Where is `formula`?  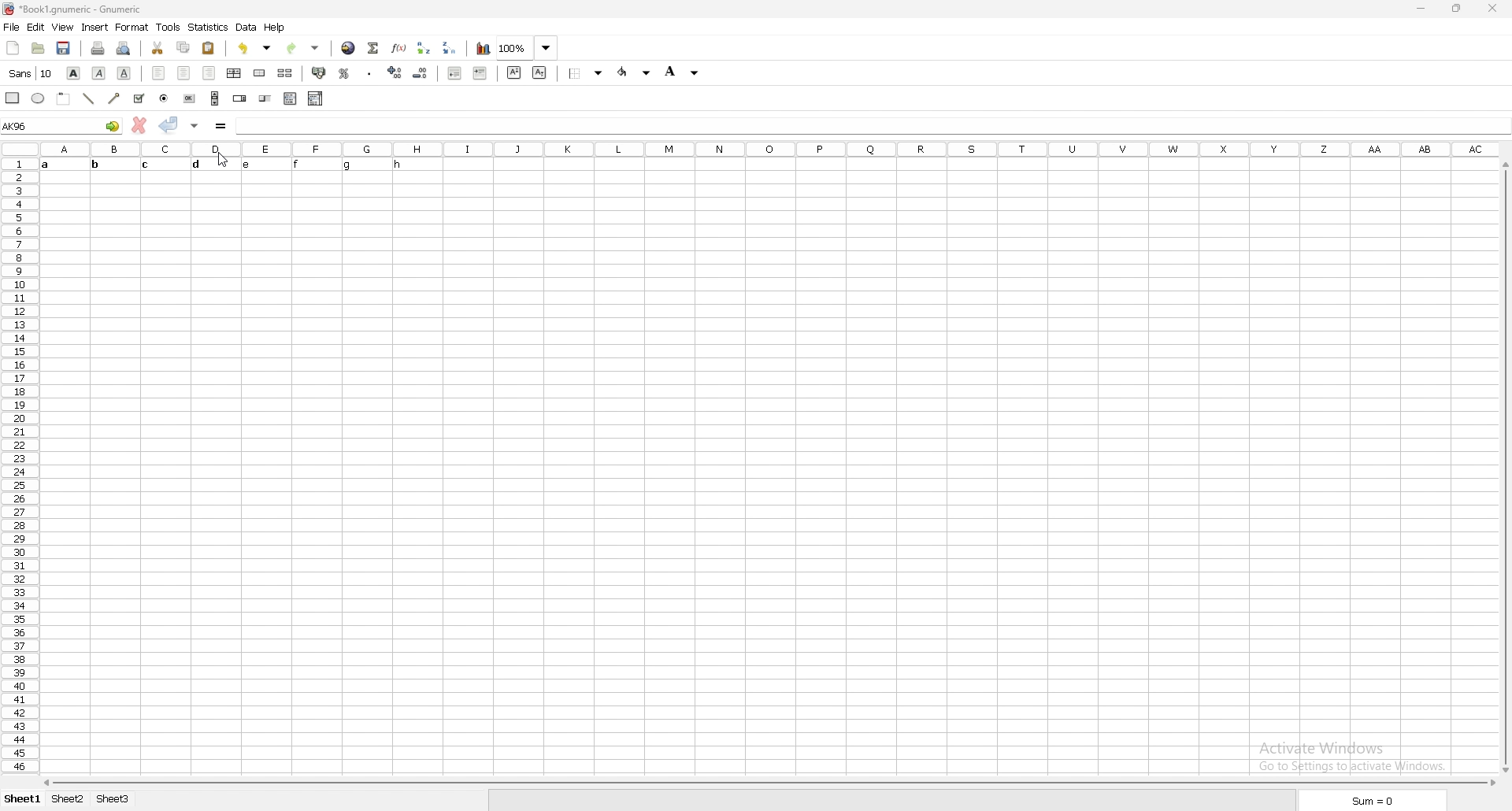 formula is located at coordinates (222, 126).